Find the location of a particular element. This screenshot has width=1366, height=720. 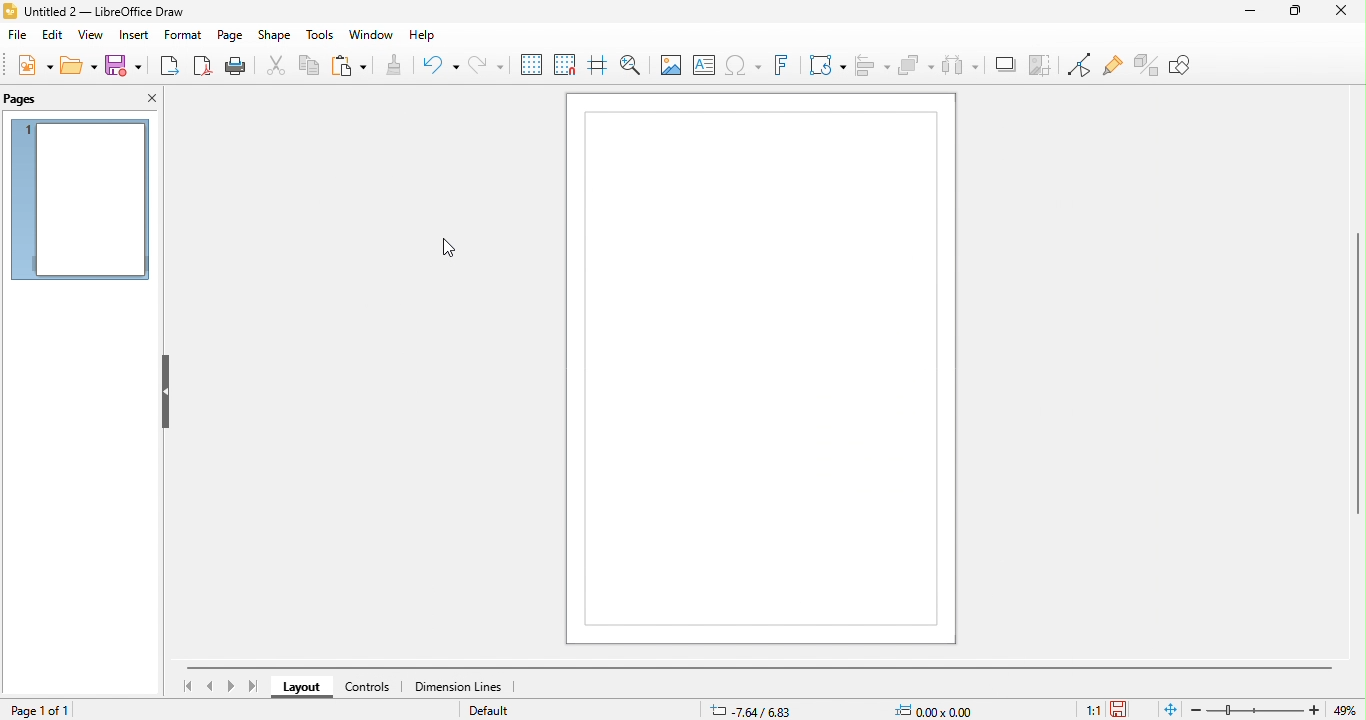

close pane is located at coordinates (147, 97).